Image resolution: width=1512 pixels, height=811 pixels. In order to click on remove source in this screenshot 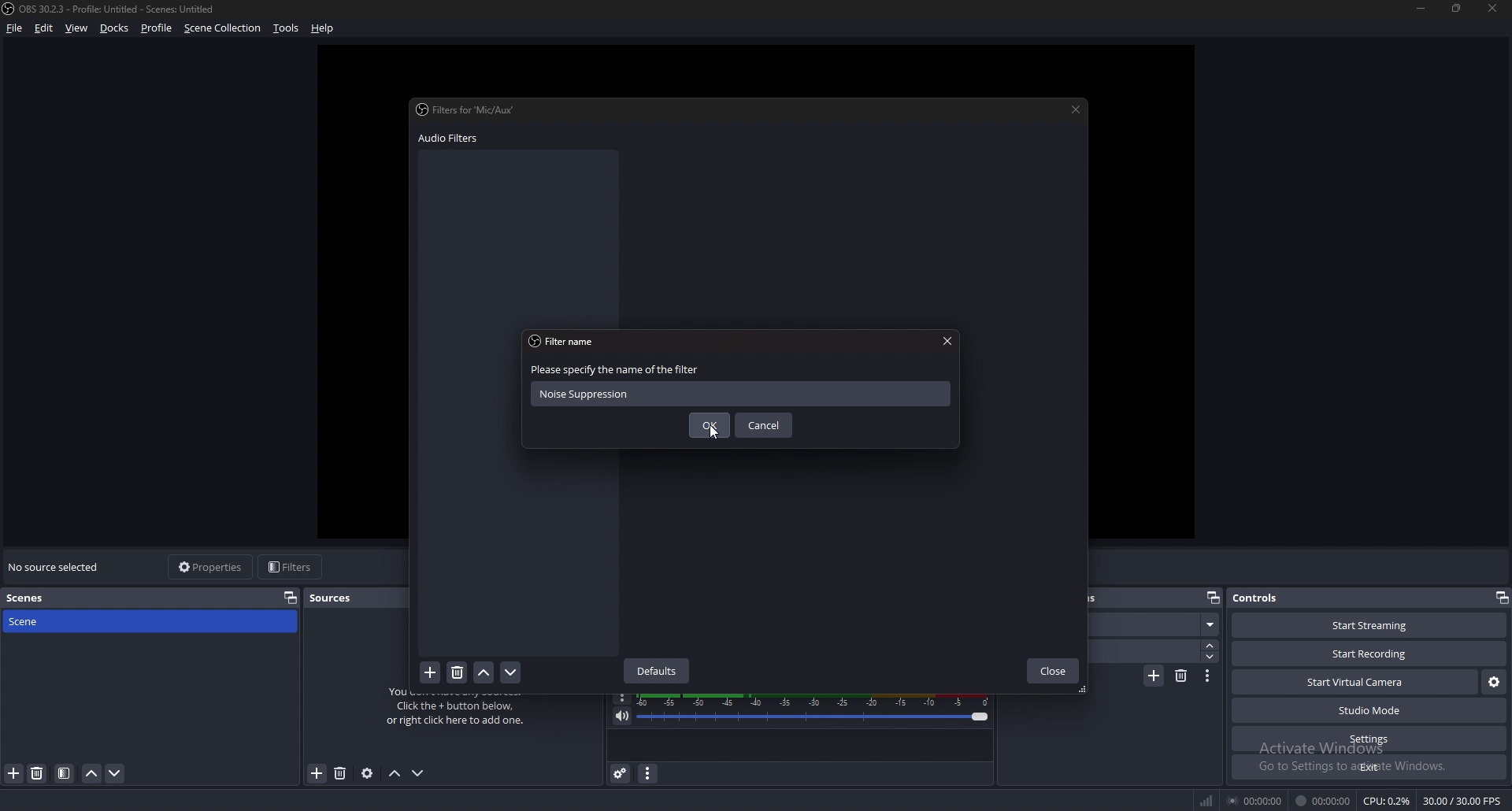, I will do `click(317, 773)`.